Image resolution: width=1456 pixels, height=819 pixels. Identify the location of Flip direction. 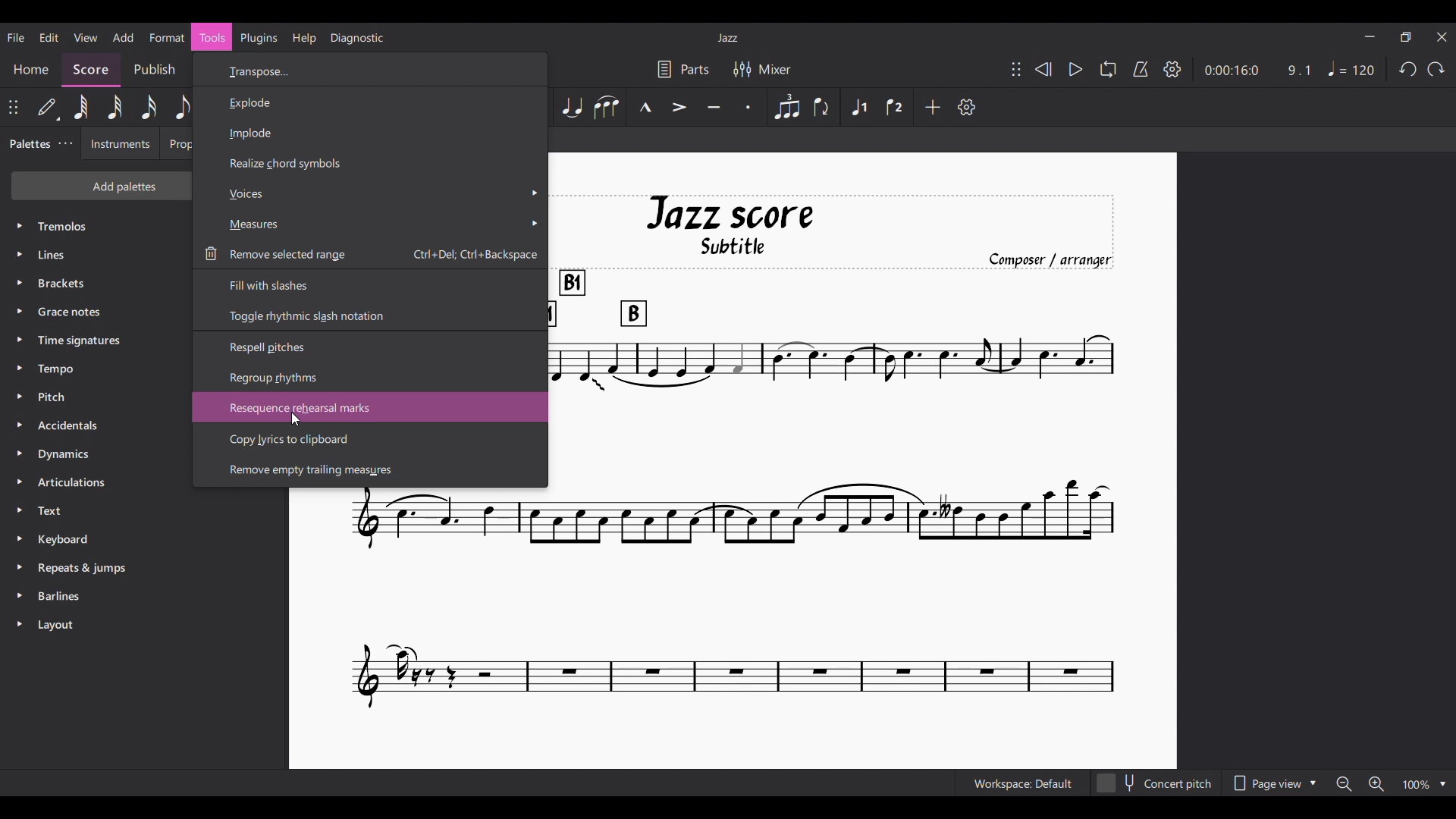
(824, 107).